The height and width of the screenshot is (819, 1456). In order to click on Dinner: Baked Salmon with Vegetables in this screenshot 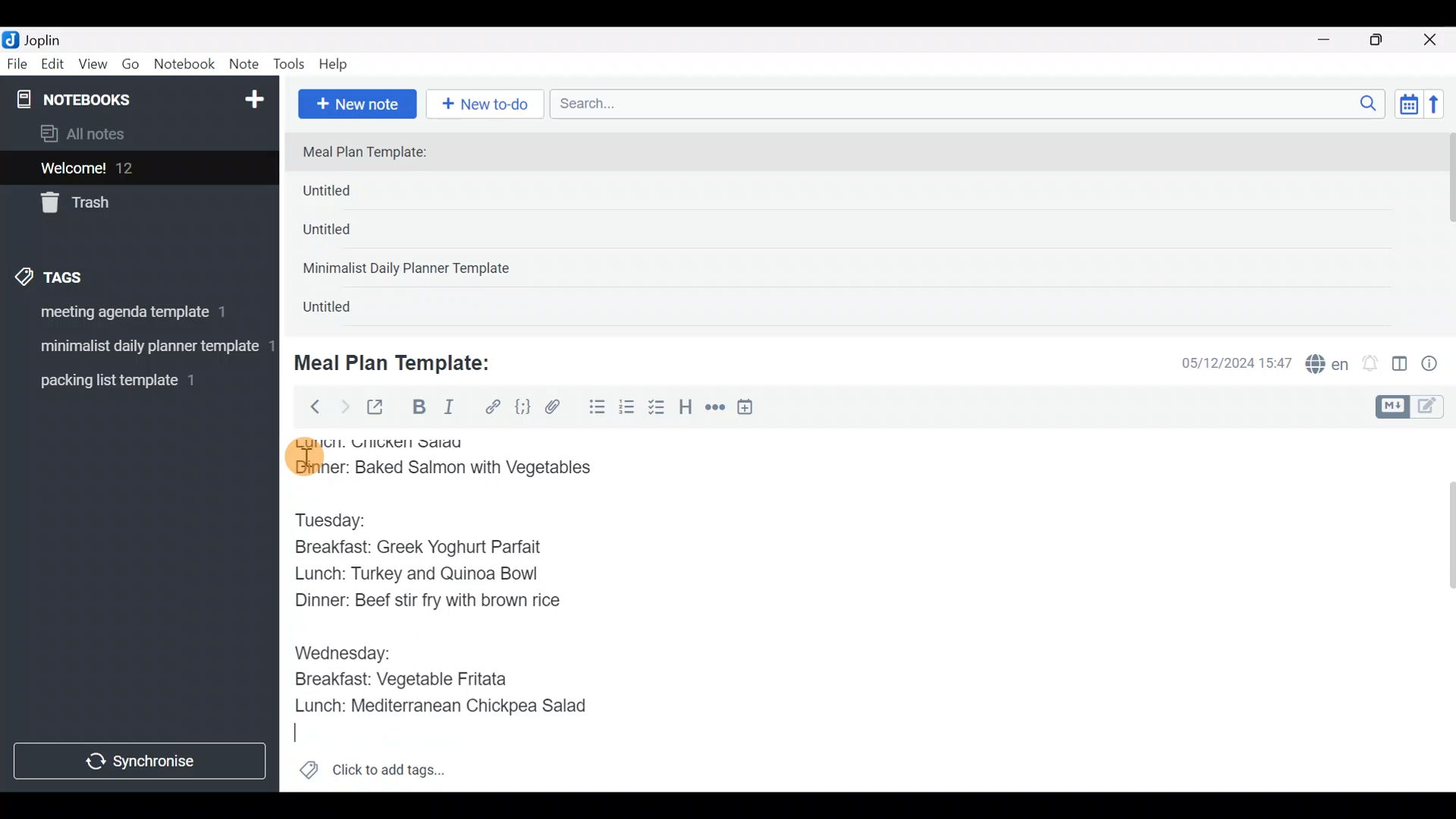, I will do `click(452, 469)`.